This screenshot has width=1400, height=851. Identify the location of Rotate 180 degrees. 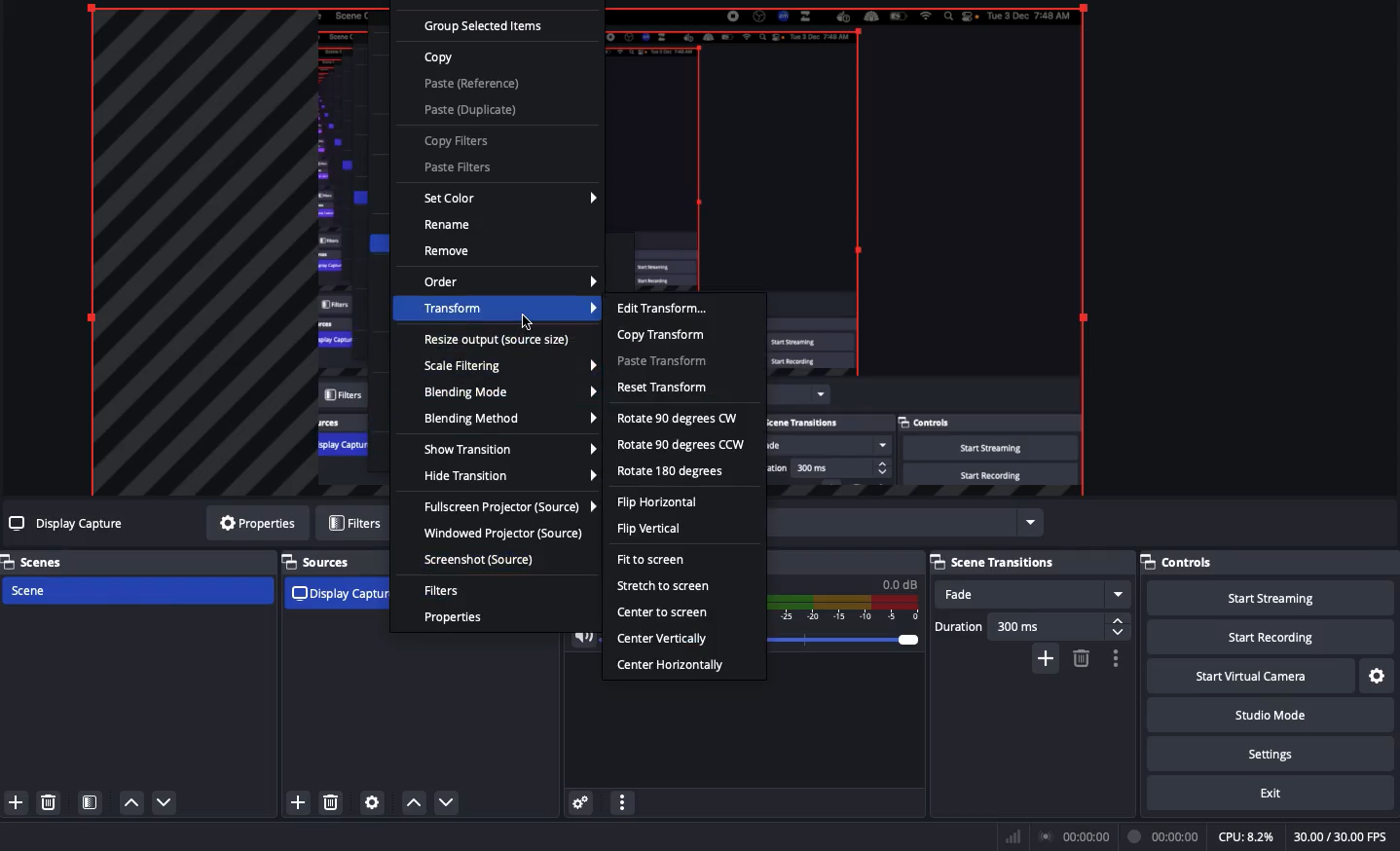
(671, 473).